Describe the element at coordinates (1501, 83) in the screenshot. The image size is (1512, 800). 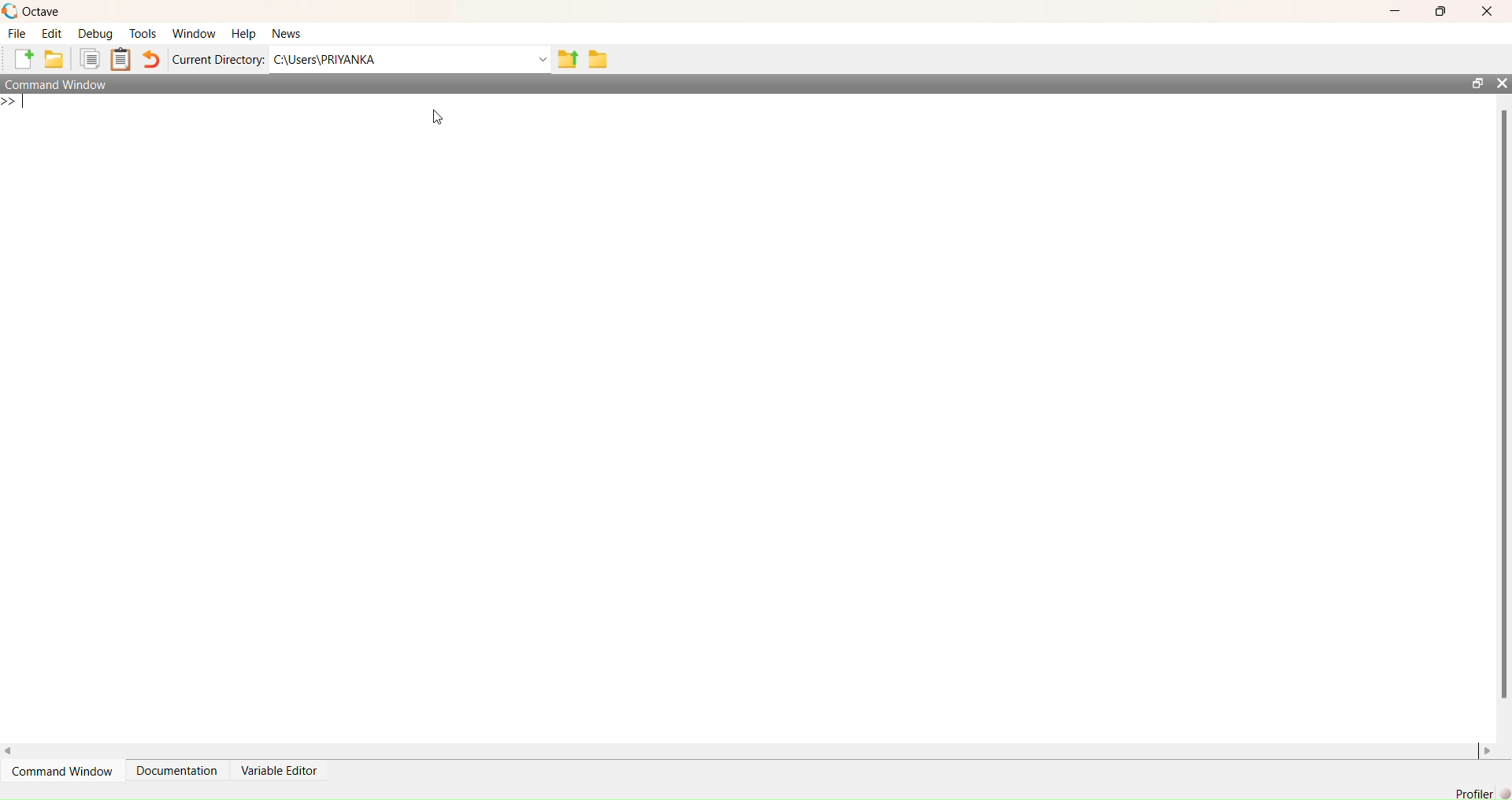
I see `close` at that location.